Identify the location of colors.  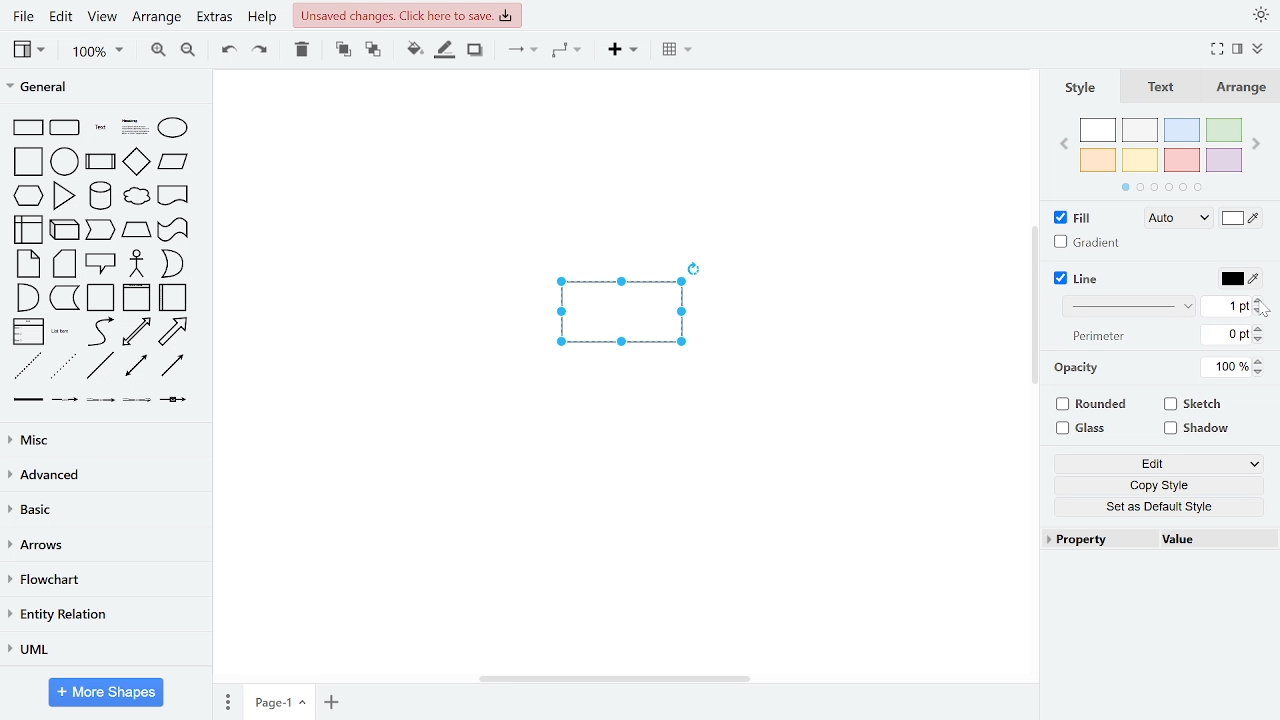
(1160, 155).